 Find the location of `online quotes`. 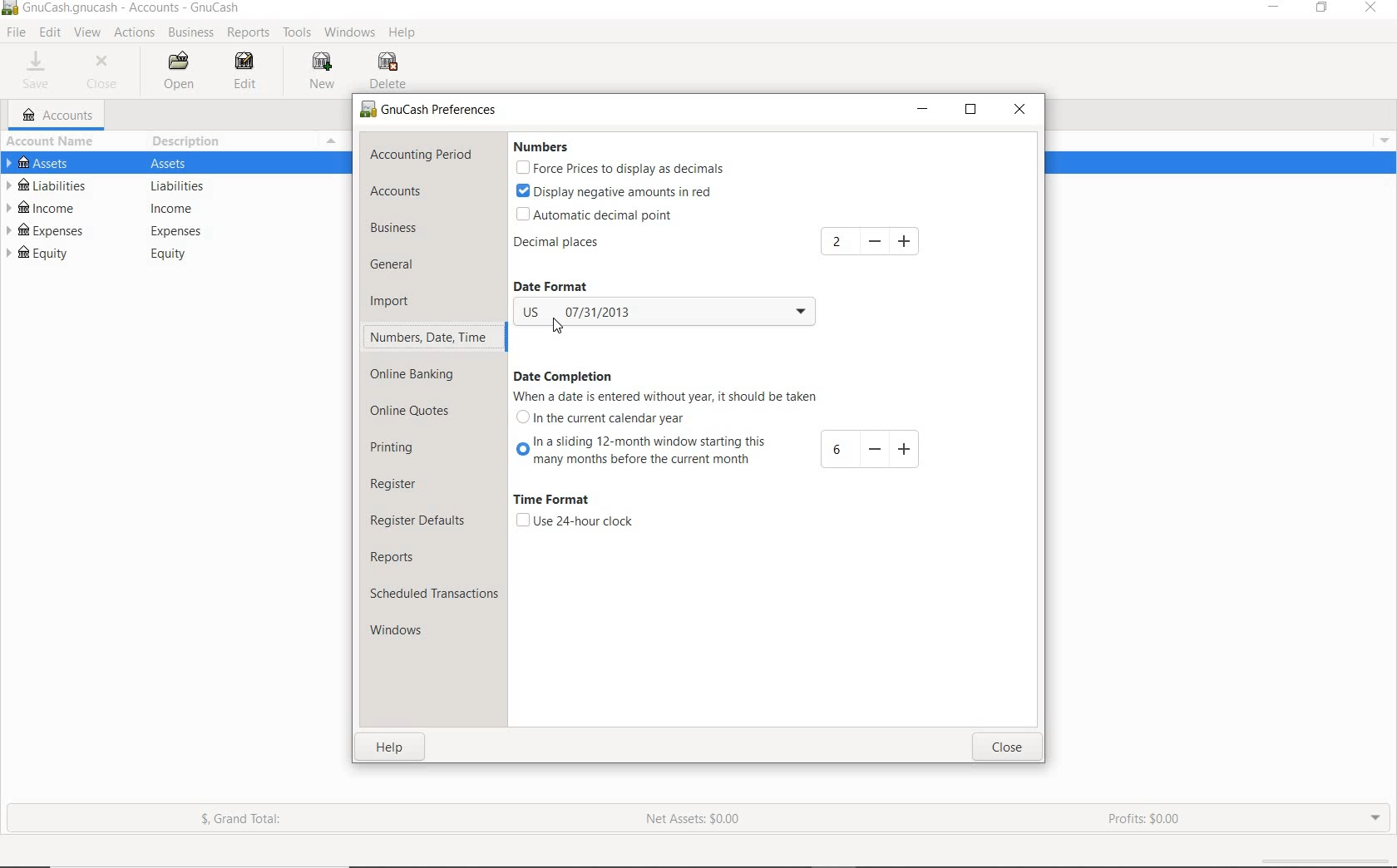

online quotes is located at coordinates (417, 412).